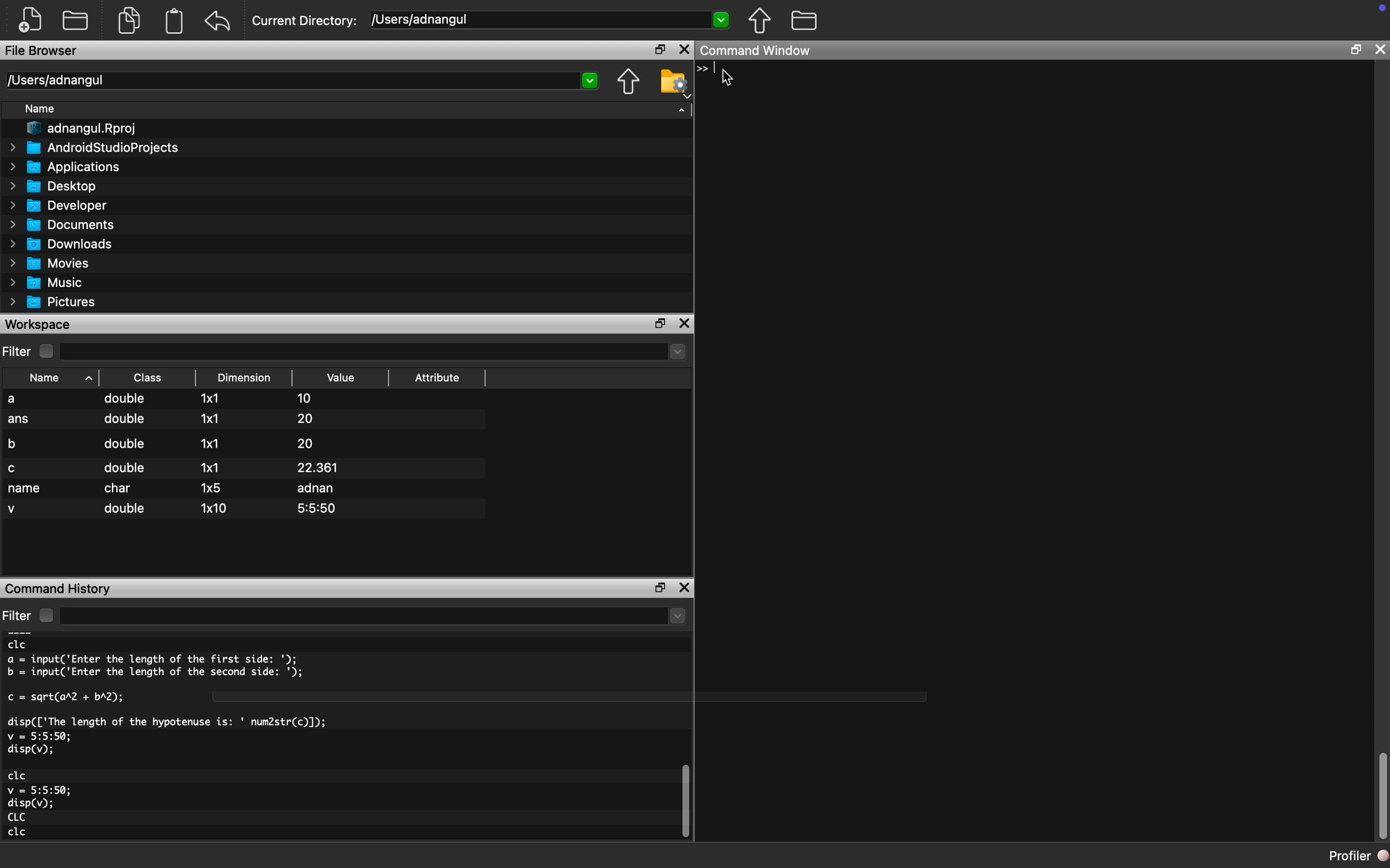 This screenshot has width=1390, height=868. What do you see at coordinates (78, 20) in the screenshot?
I see `Open an existing file in editor` at bounding box center [78, 20].